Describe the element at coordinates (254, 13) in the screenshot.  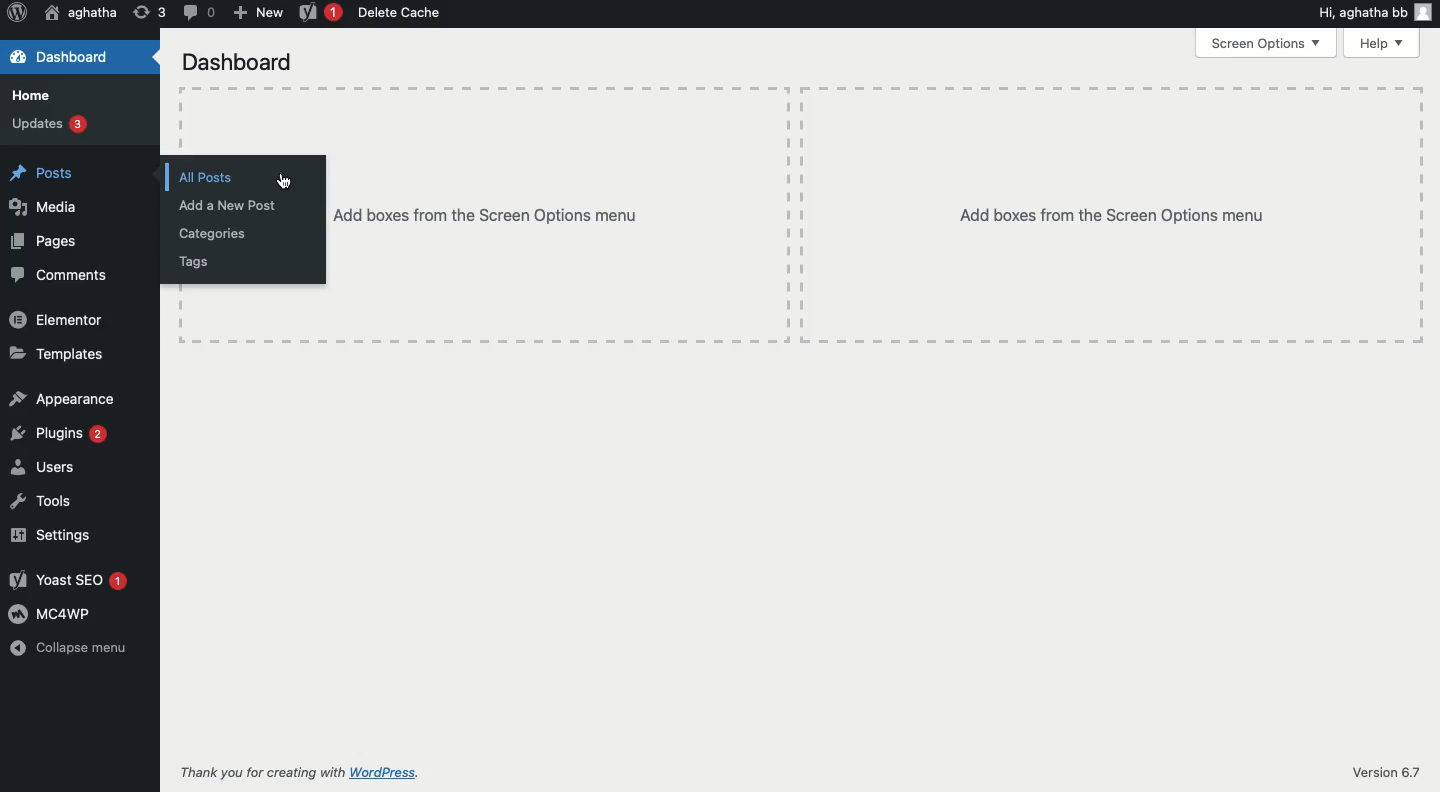
I see `New` at that location.